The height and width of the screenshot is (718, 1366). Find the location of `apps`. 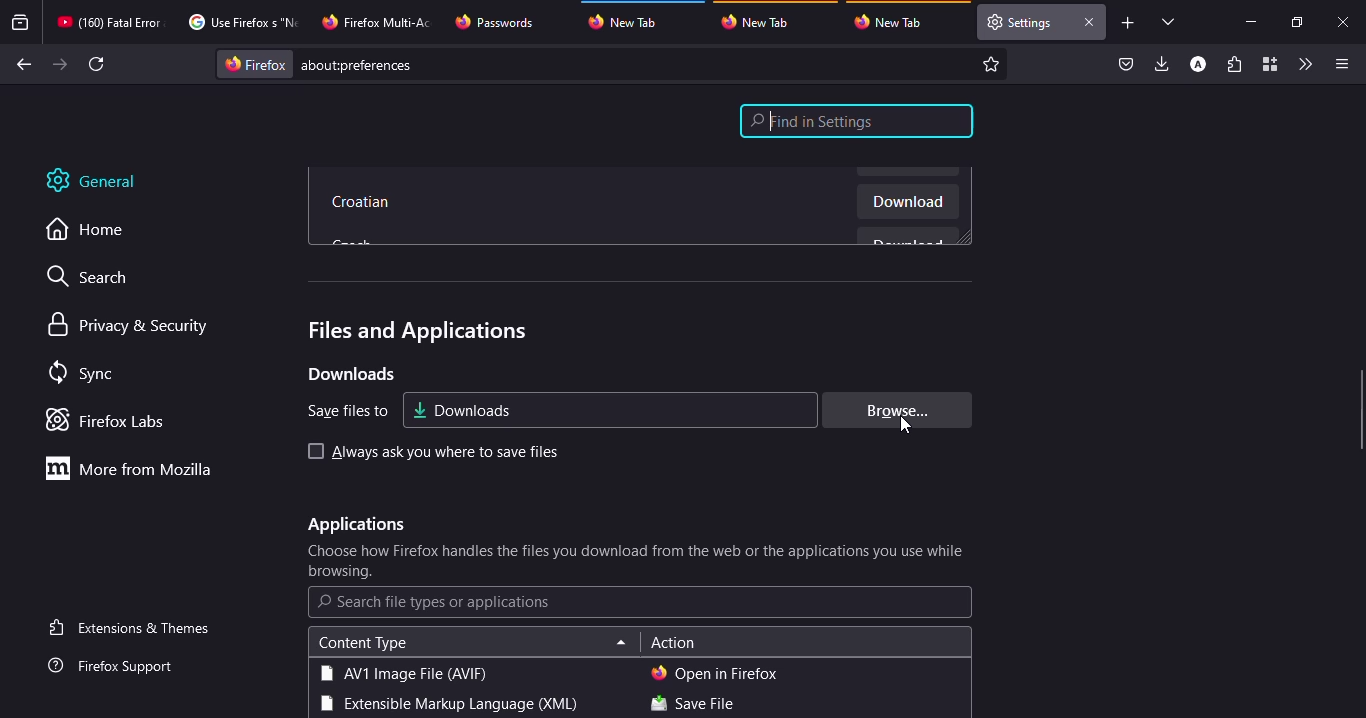

apps is located at coordinates (354, 525).